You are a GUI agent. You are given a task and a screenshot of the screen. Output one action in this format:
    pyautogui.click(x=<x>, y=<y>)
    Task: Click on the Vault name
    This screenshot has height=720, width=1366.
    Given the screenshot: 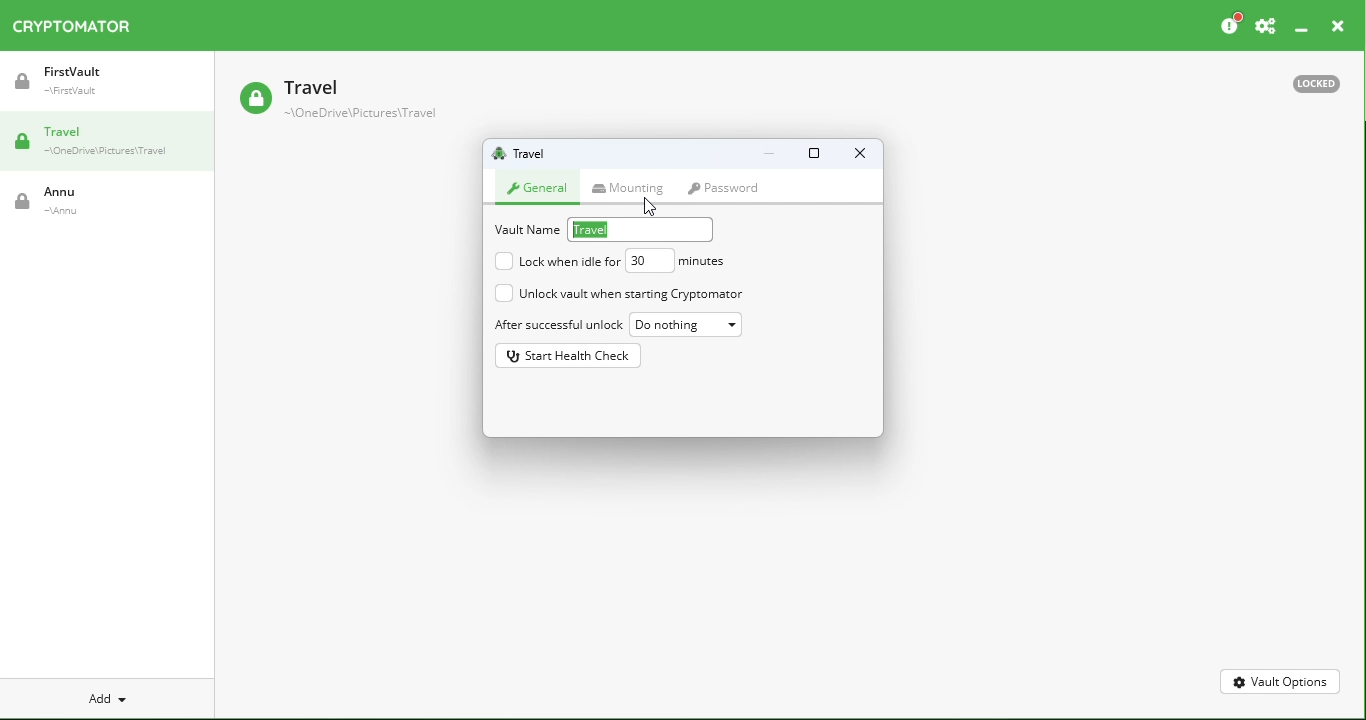 What is the action you would take?
    pyautogui.click(x=524, y=153)
    